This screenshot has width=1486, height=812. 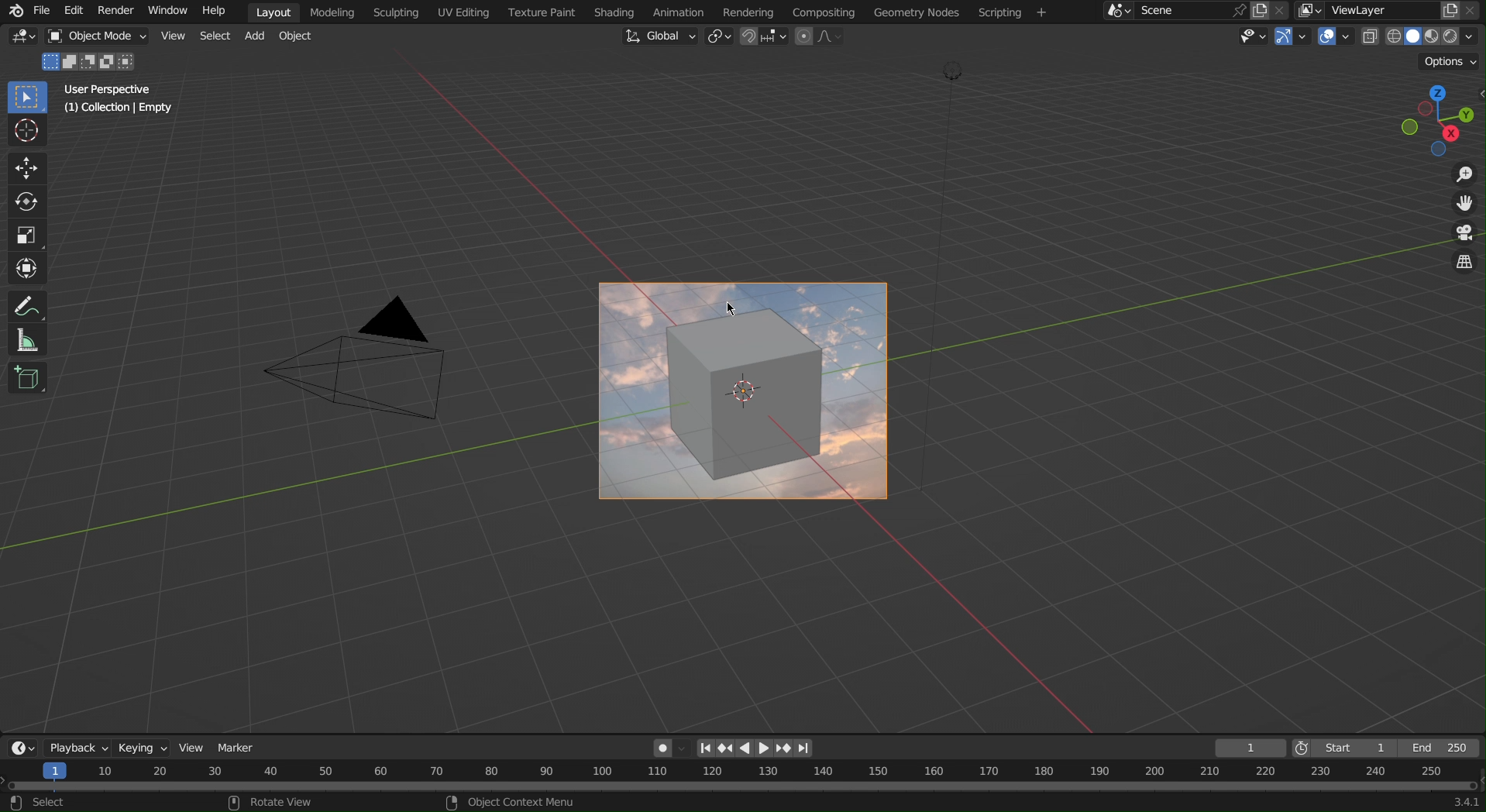 I want to click on Select Box, so click(x=25, y=98).